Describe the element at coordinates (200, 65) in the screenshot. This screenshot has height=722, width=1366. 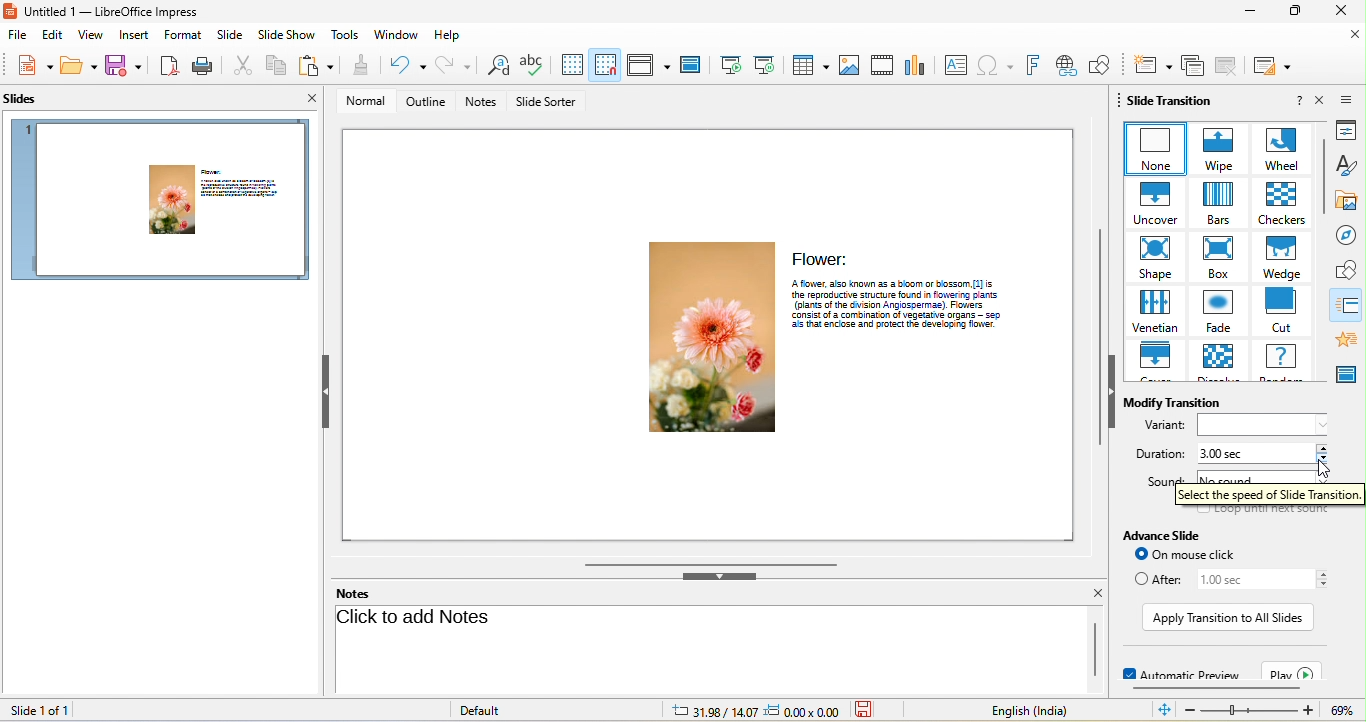
I see `print` at that location.